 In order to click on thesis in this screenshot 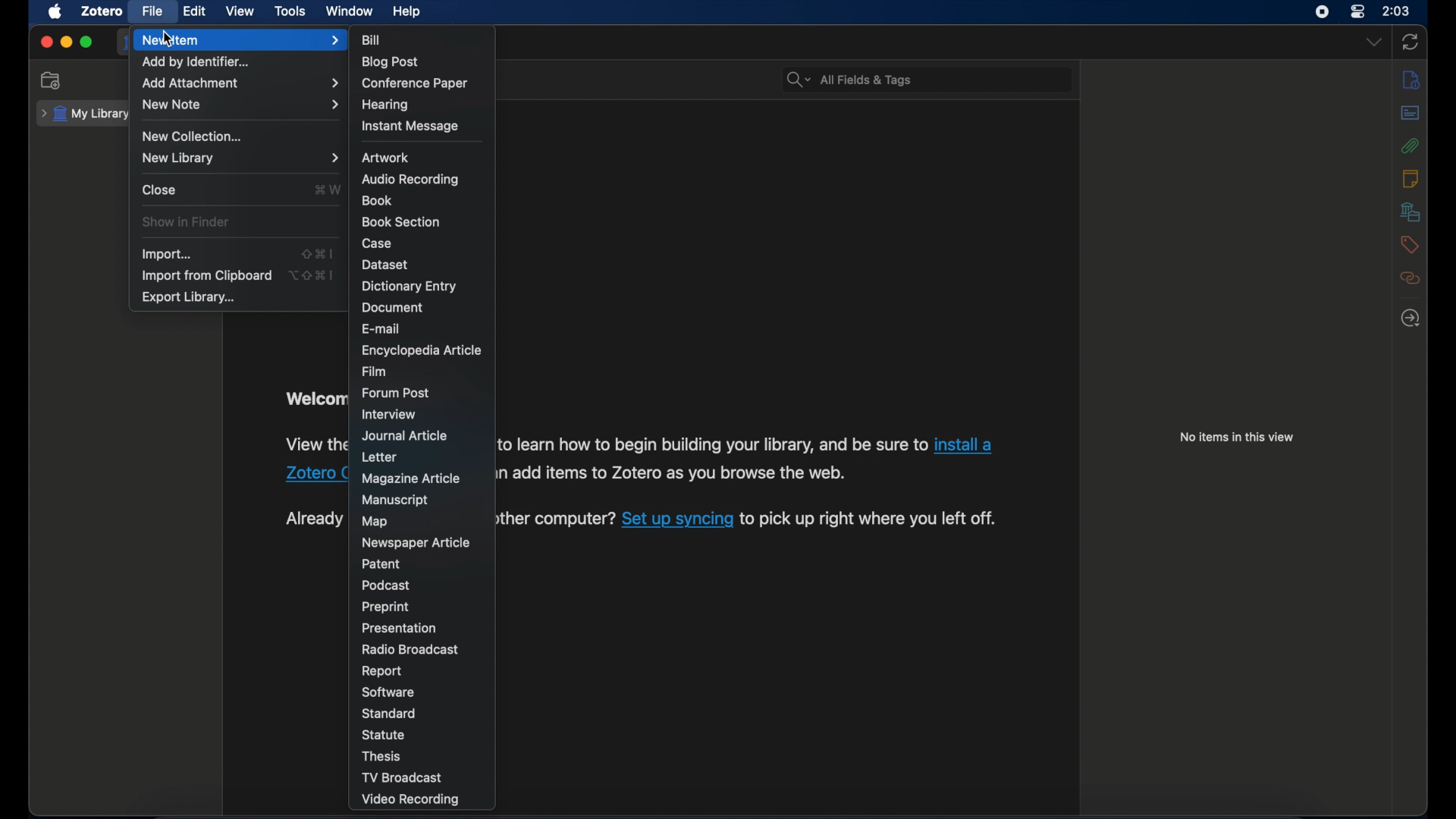, I will do `click(379, 756)`.